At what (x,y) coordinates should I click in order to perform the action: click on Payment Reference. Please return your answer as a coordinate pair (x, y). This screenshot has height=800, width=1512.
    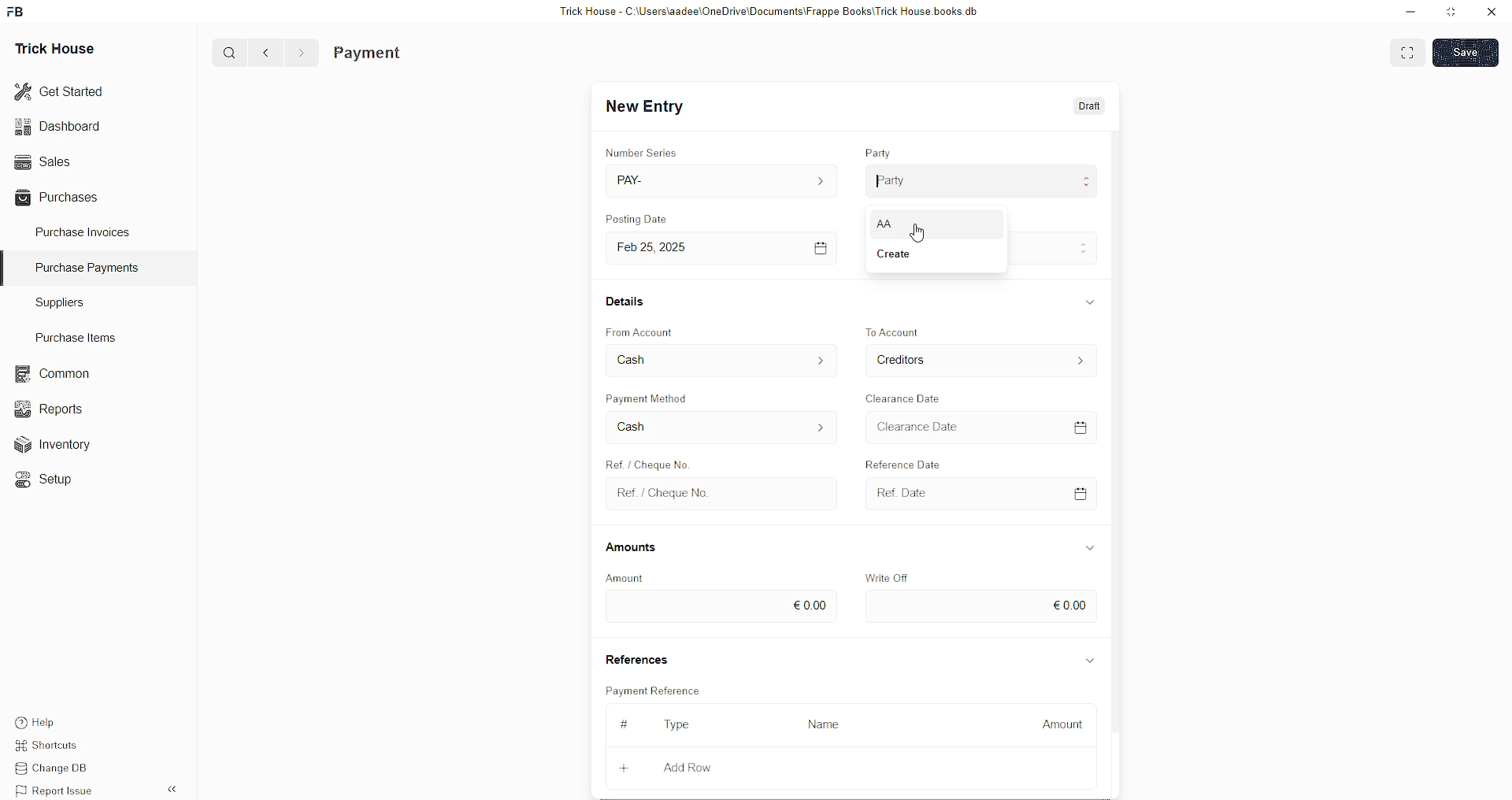
    Looking at the image, I should click on (661, 689).